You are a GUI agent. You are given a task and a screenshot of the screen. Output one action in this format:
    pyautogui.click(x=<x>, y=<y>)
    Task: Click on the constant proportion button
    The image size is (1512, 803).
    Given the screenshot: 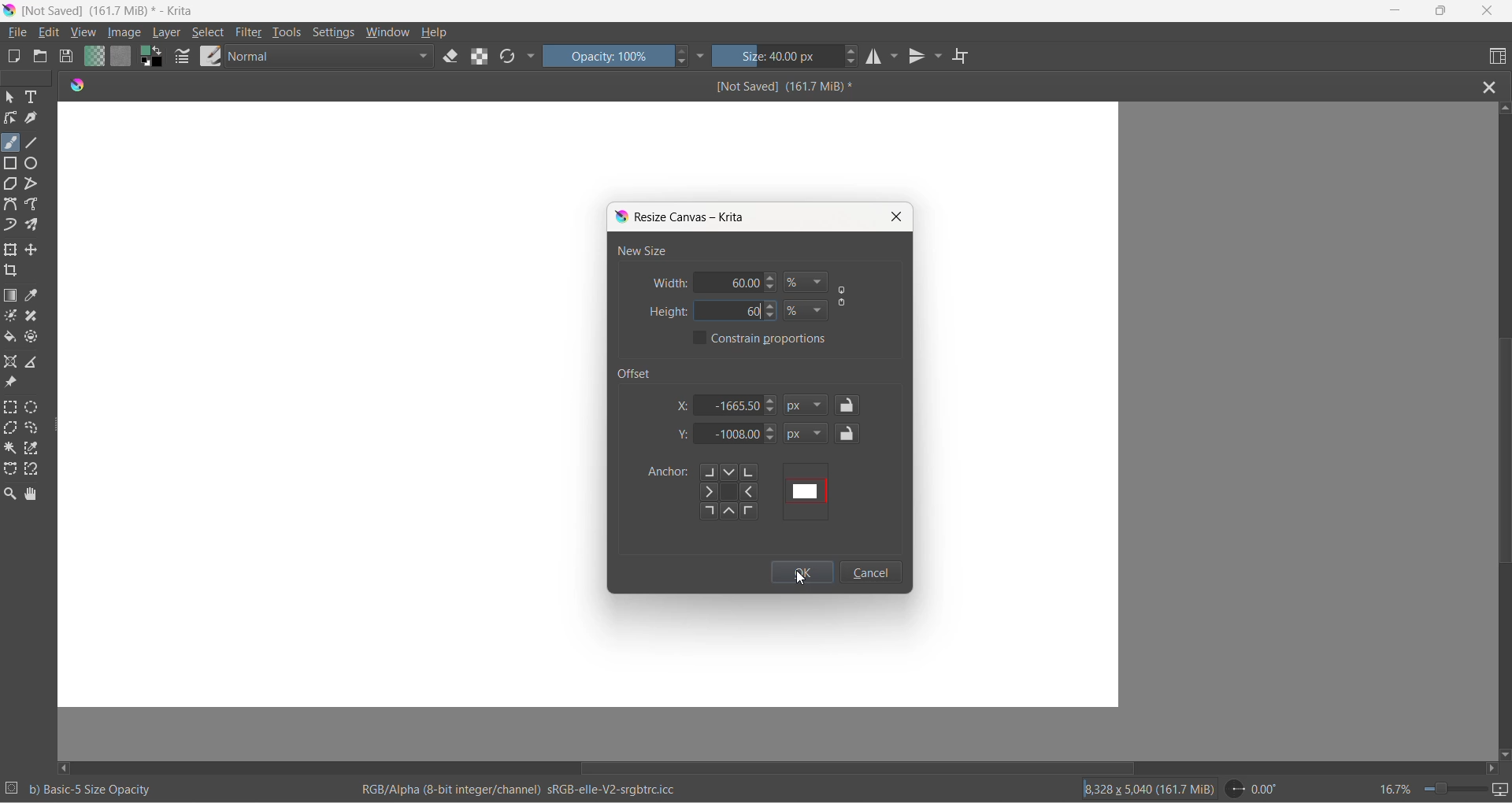 What is the action you would take?
    pyautogui.click(x=843, y=298)
    